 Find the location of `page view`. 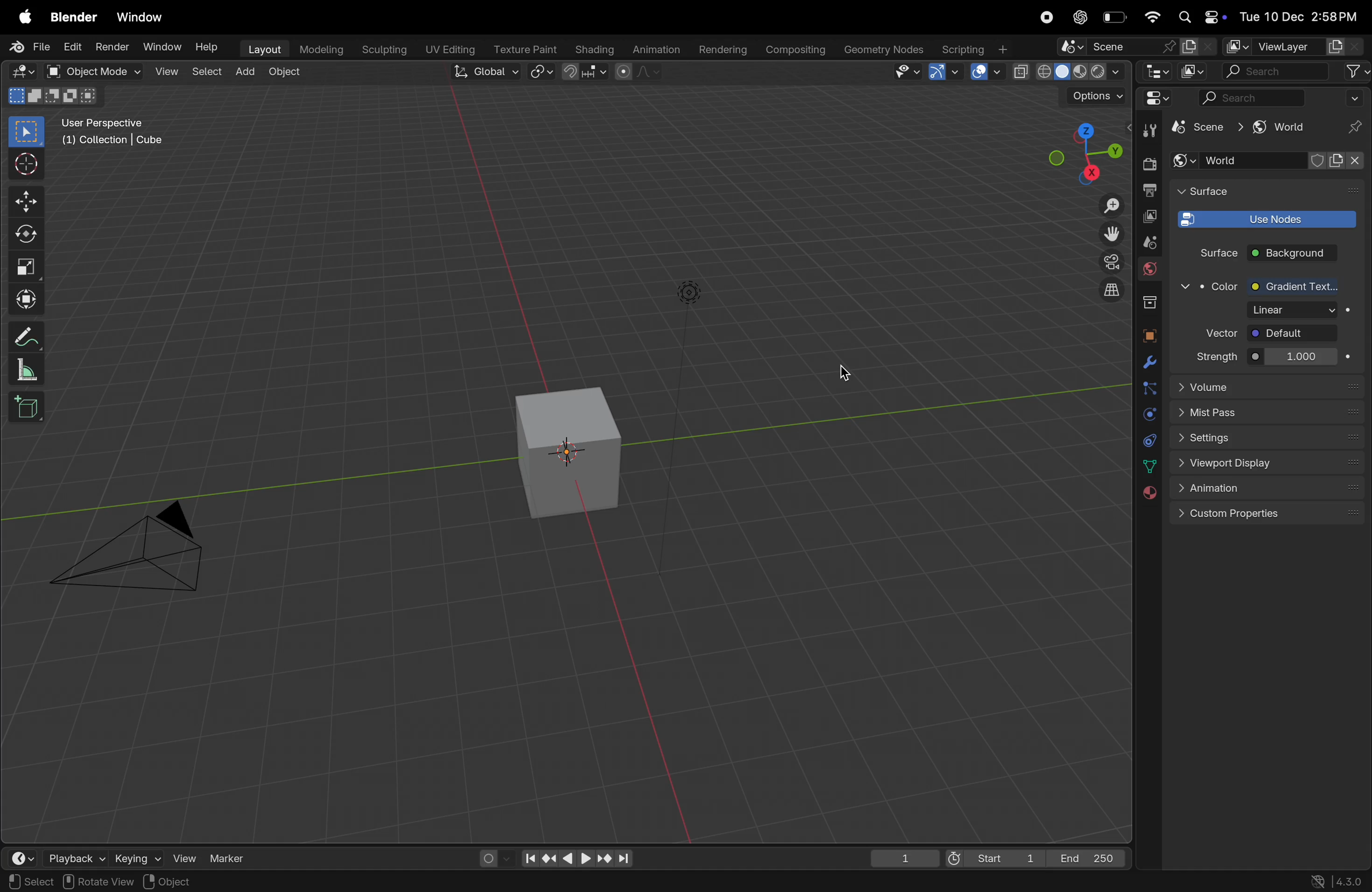

page view is located at coordinates (35, 880).